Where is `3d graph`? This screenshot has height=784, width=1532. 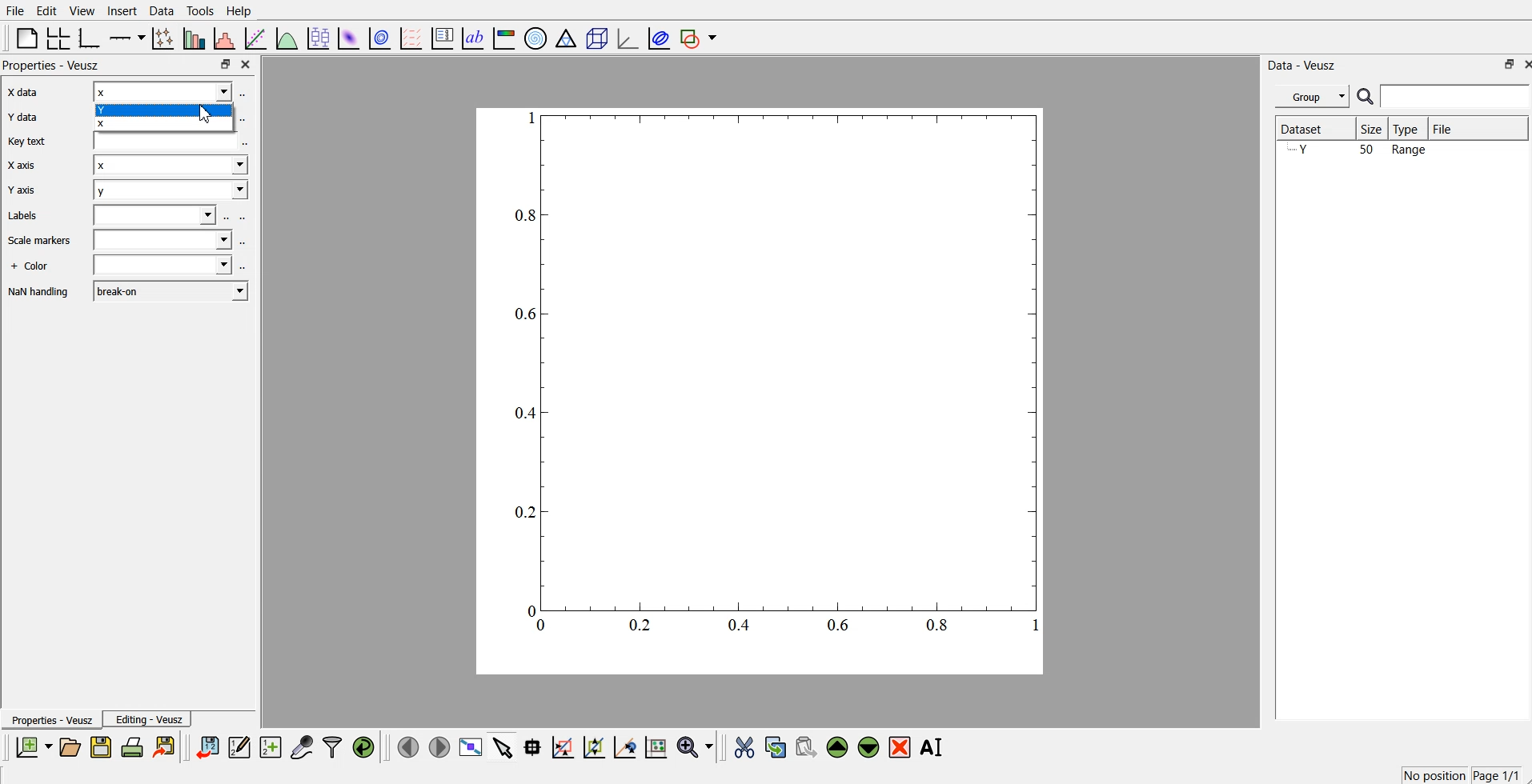 3d graph is located at coordinates (627, 35).